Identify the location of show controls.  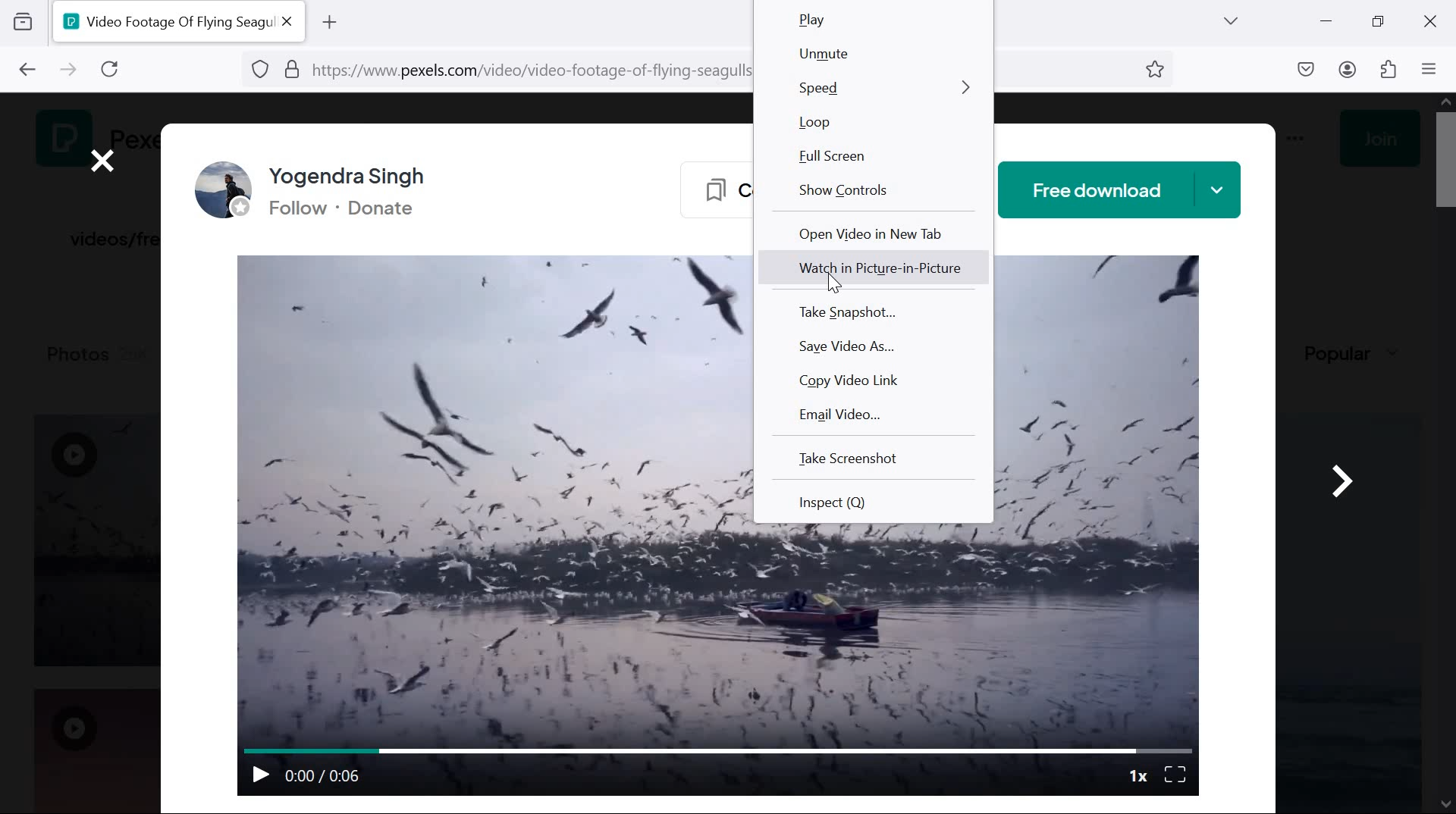
(870, 190).